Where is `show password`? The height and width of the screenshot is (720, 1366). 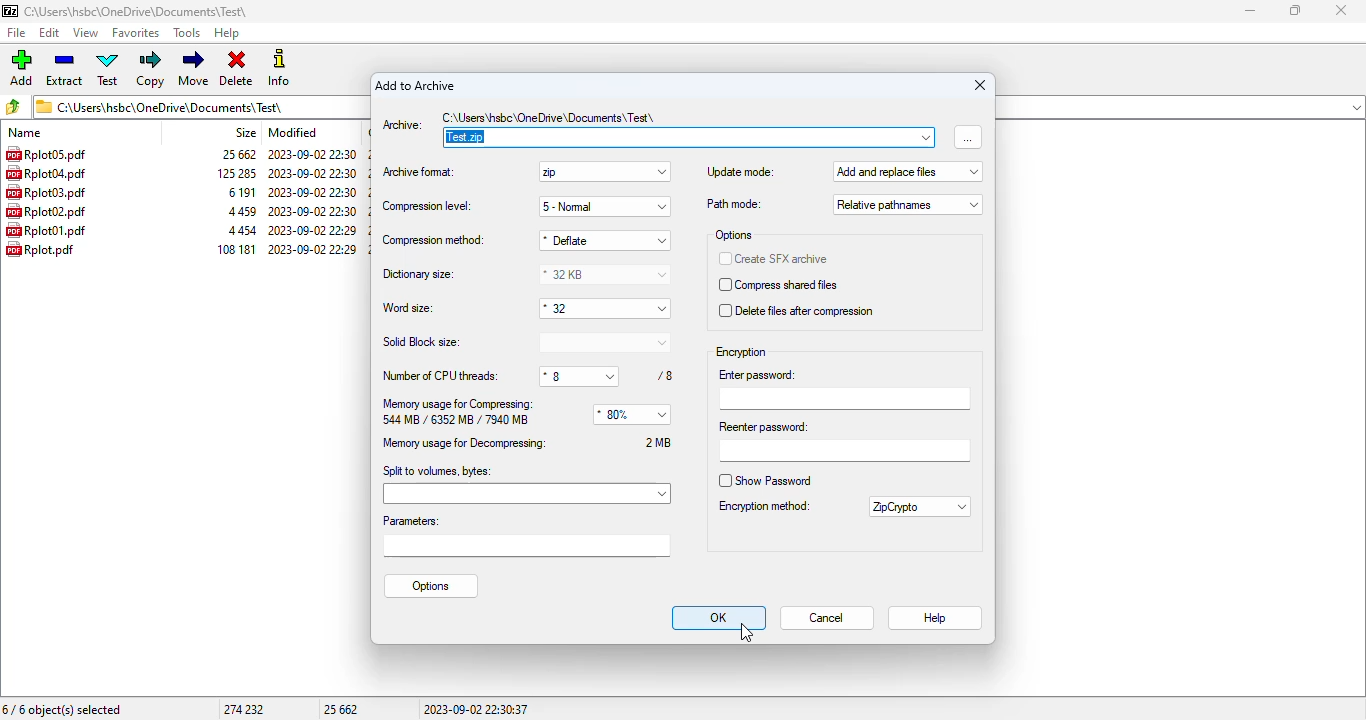
show password is located at coordinates (763, 481).